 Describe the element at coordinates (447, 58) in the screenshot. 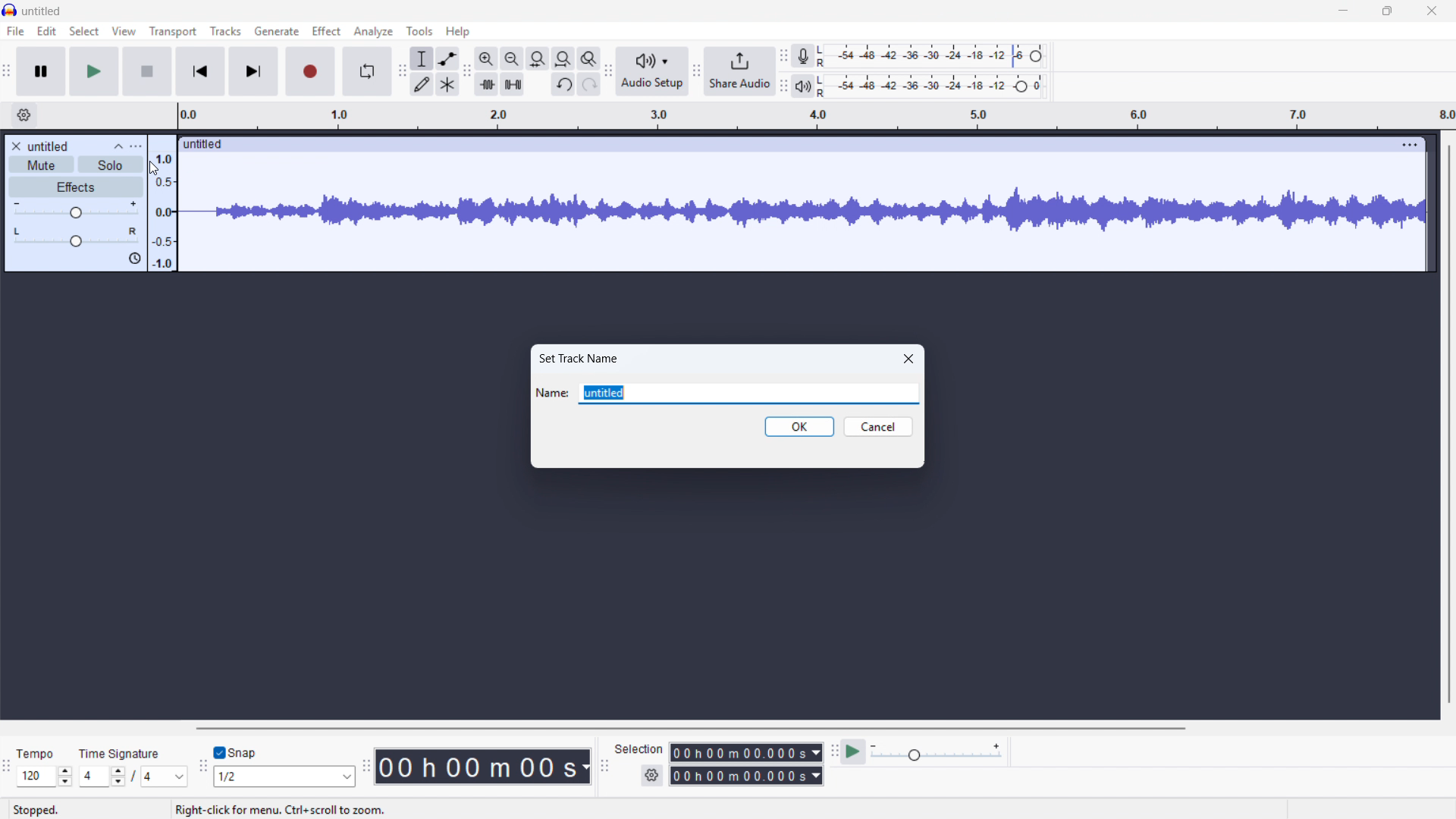

I see `Envelope tool ` at that location.